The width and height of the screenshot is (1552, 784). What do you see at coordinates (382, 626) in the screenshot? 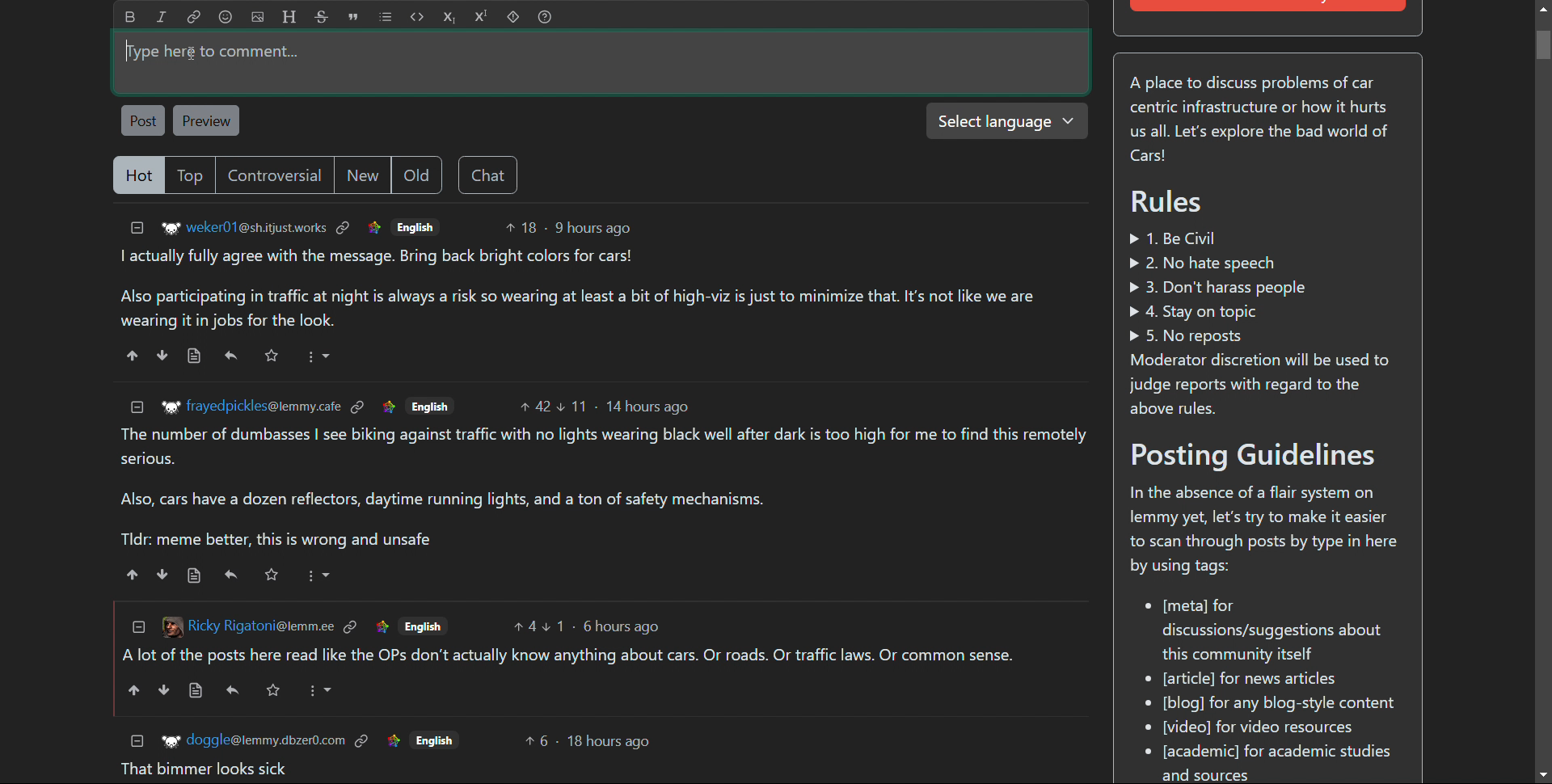
I see `link` at bounding box center [382, 626].